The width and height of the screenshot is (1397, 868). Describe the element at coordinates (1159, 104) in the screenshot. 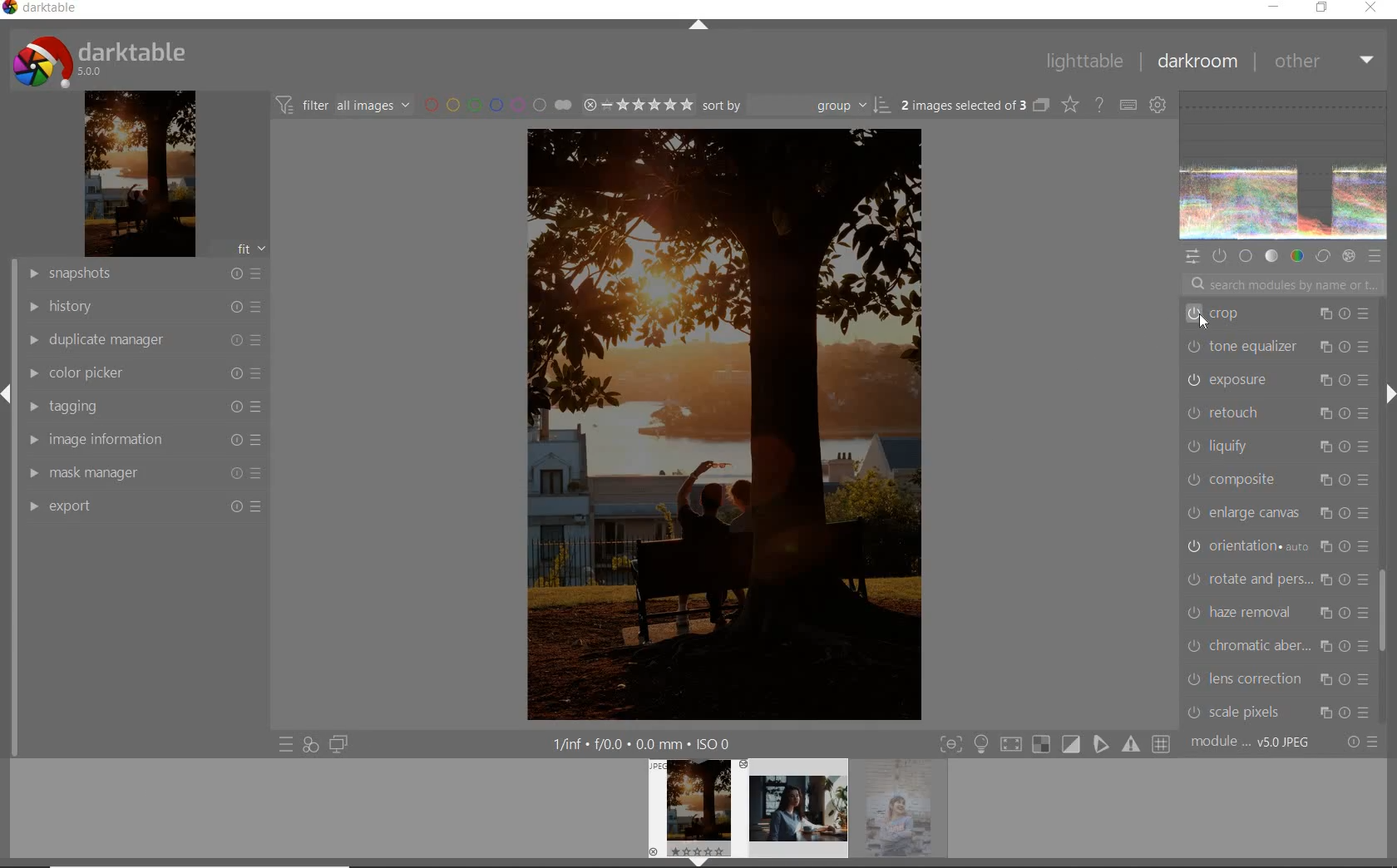

I see `show global preference` at that location.